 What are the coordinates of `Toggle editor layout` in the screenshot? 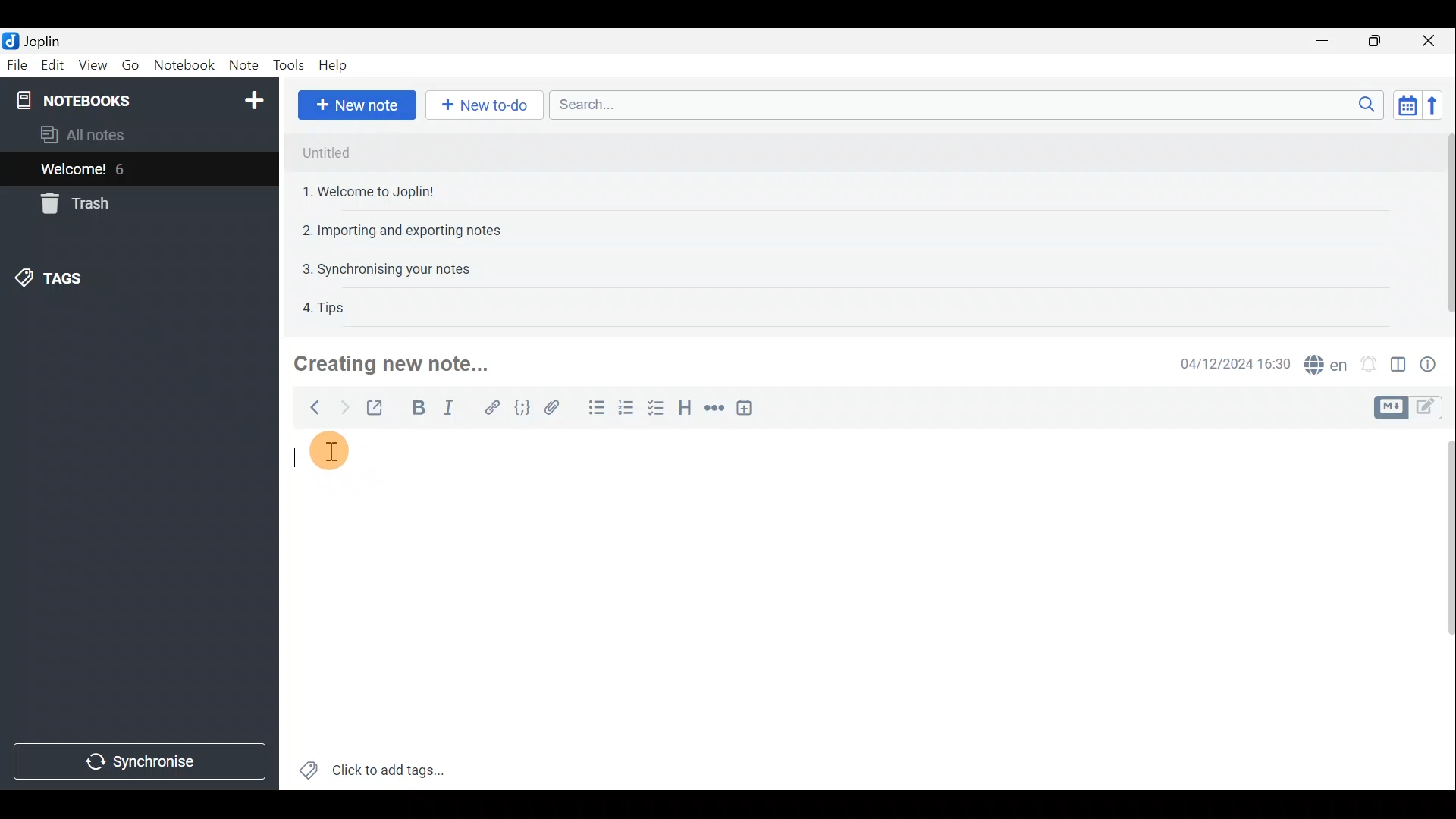 It's located at (1399, 367).